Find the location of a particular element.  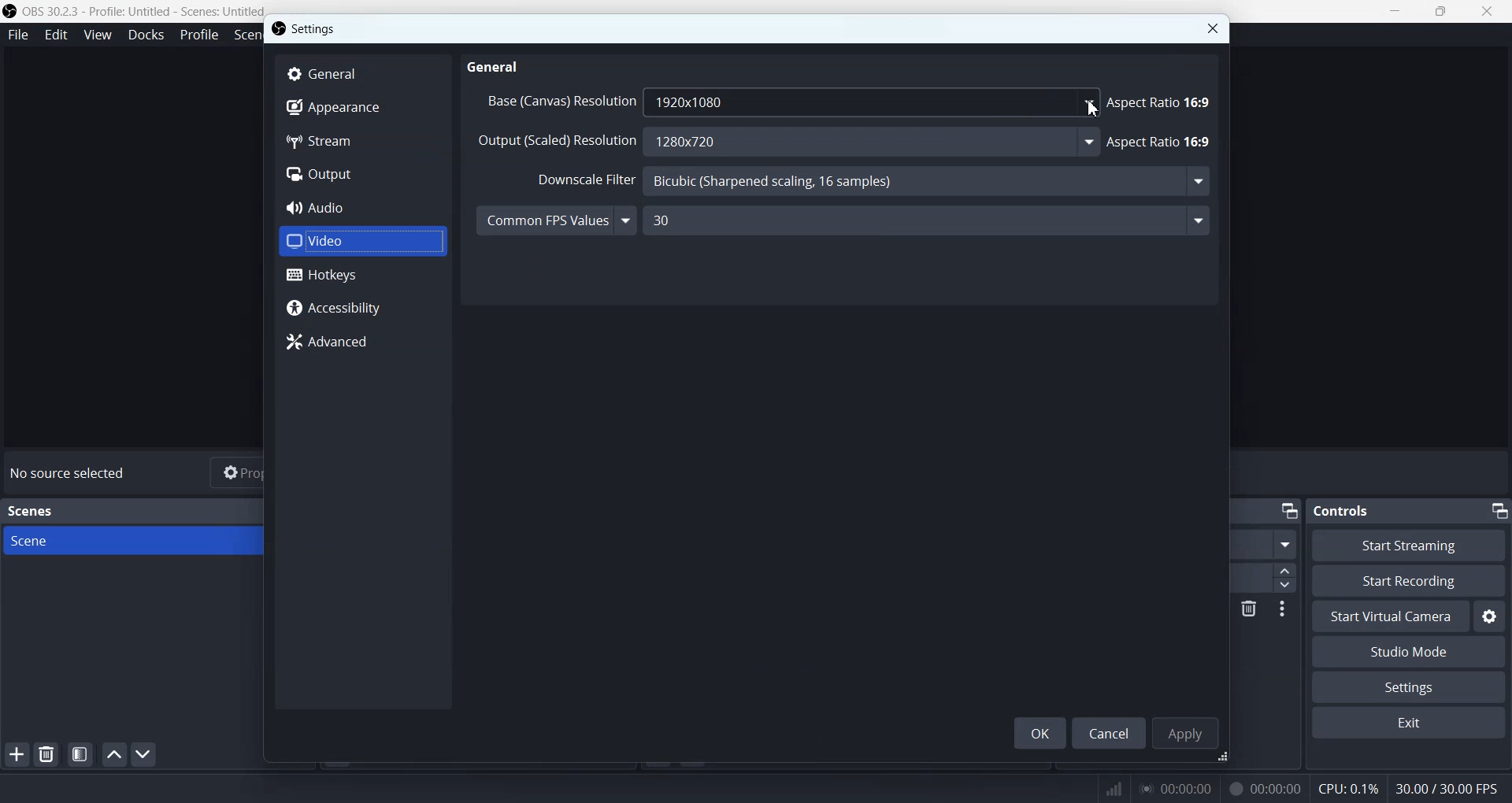

Accessibility is located at coordinates (364, 307).